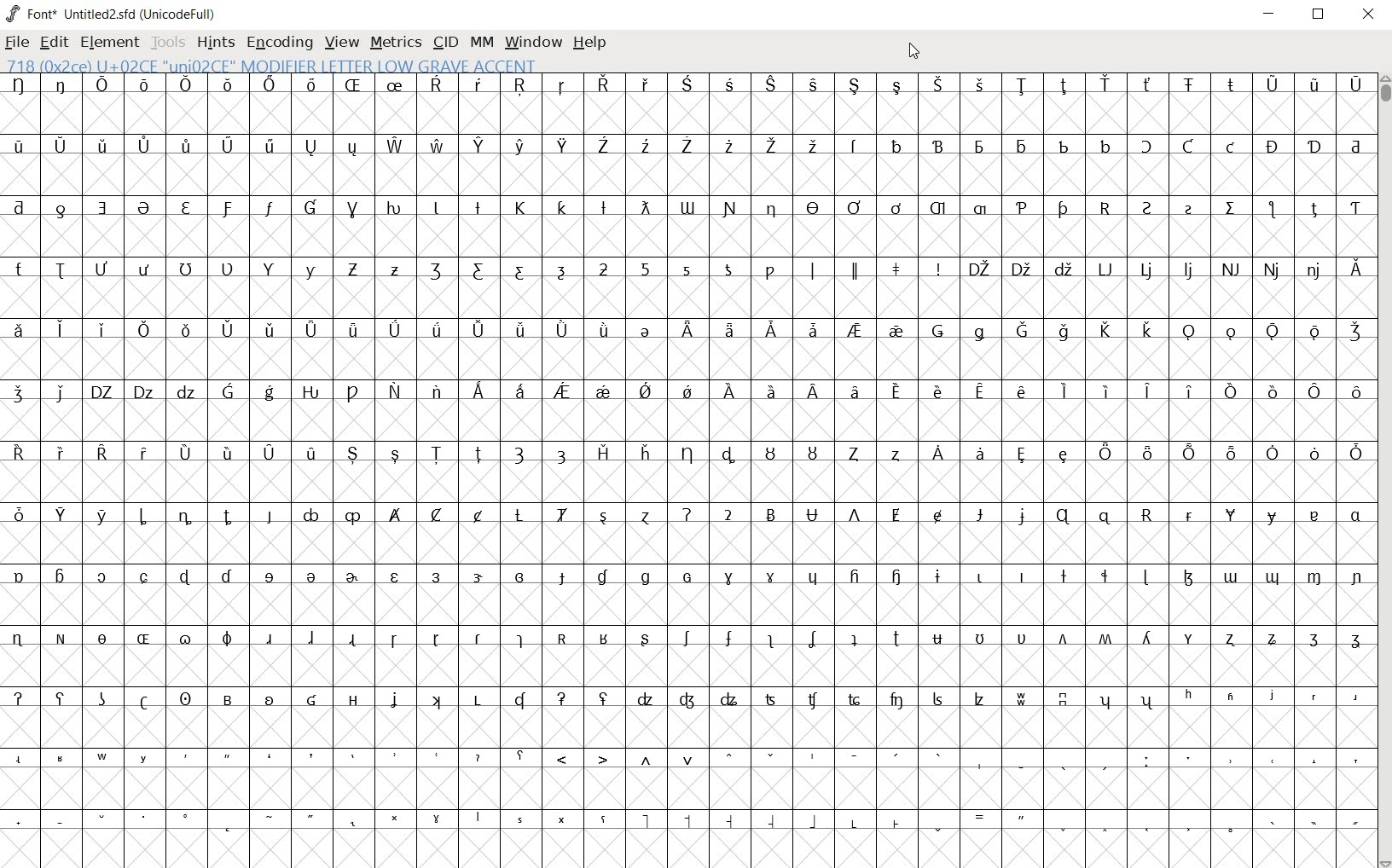  I want to click on edit, so click(52, 40).